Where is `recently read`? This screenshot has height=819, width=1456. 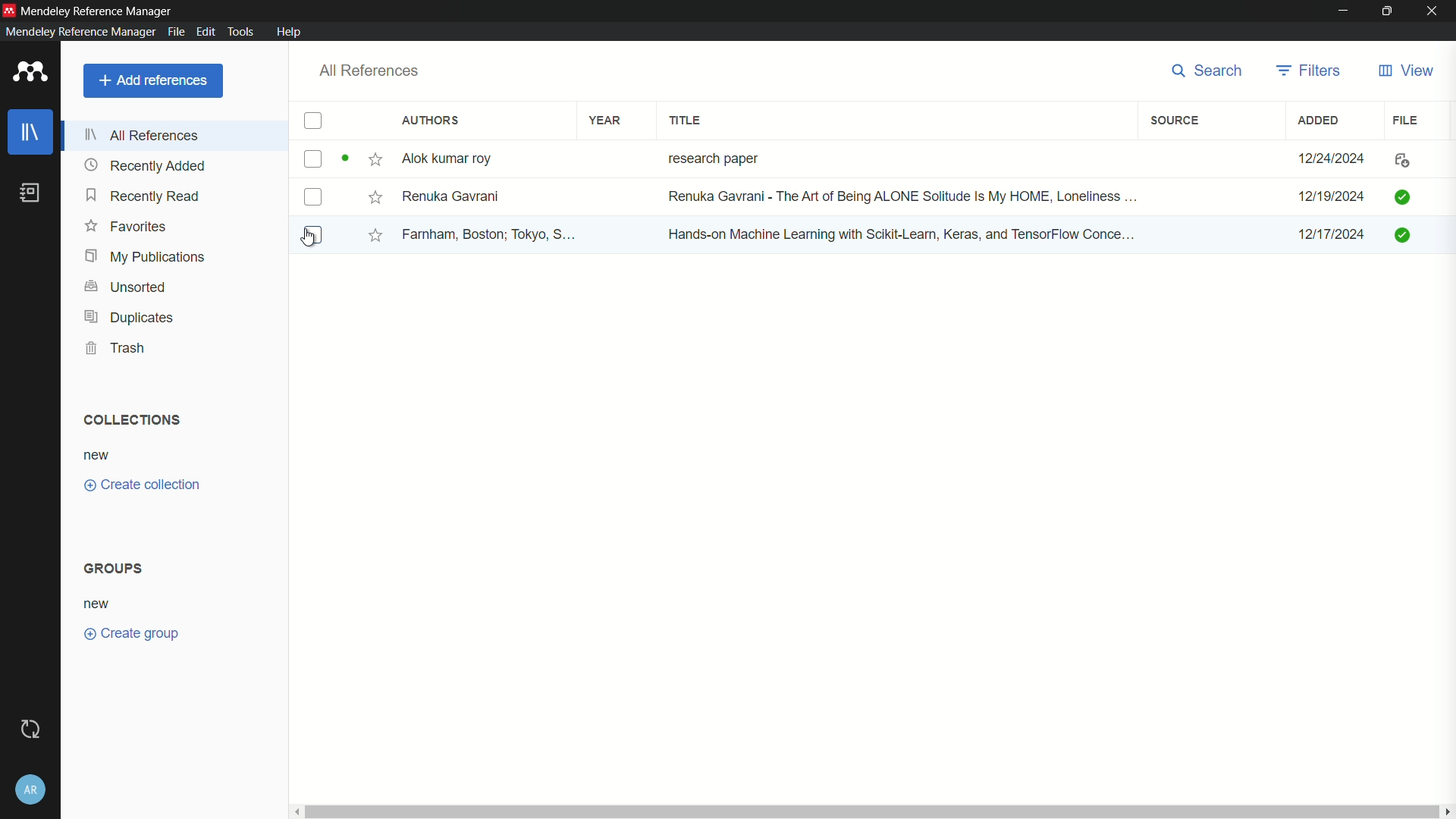
recently read is located at coordinates (143, 195).